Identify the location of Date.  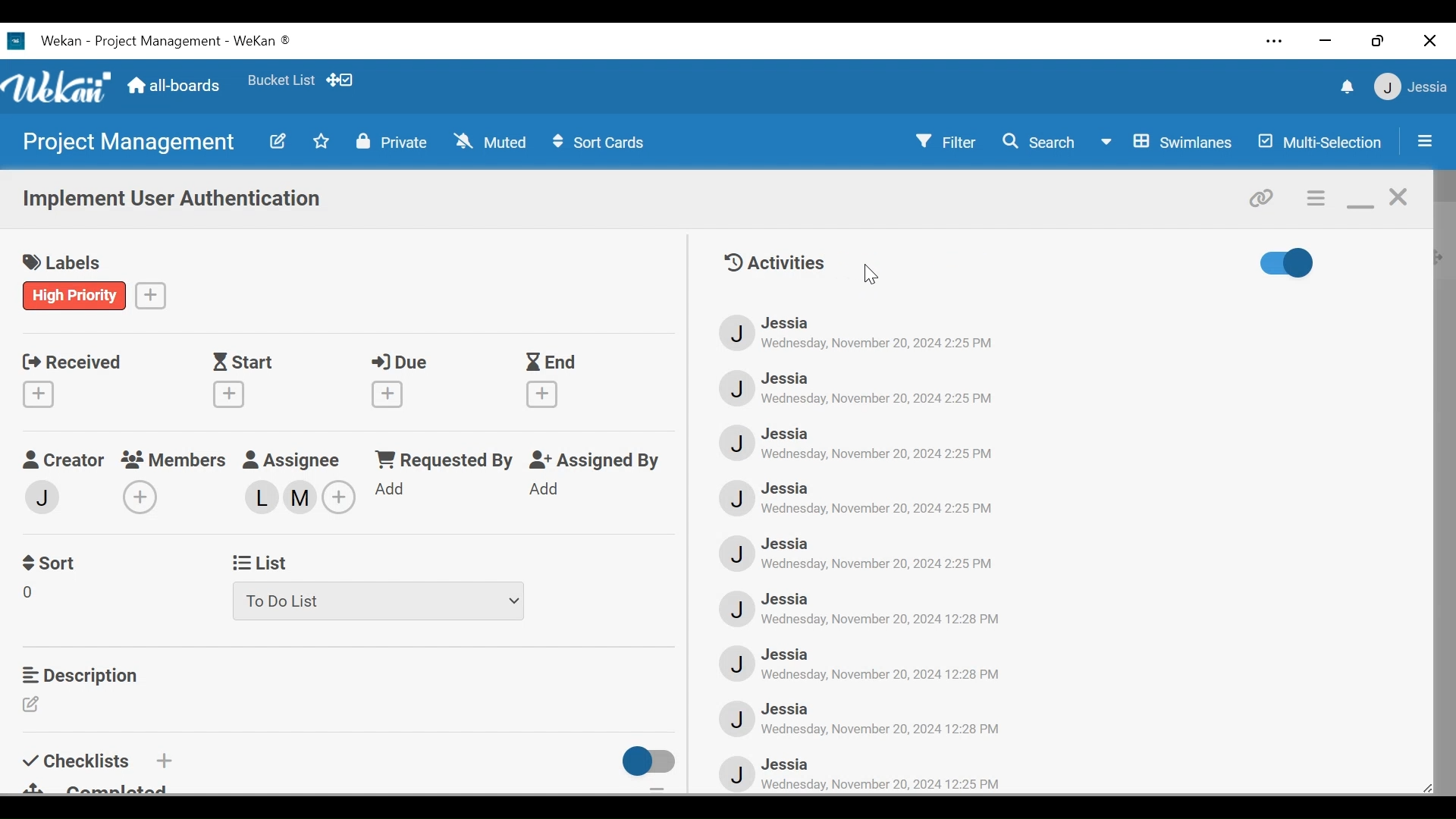
(886, 677).